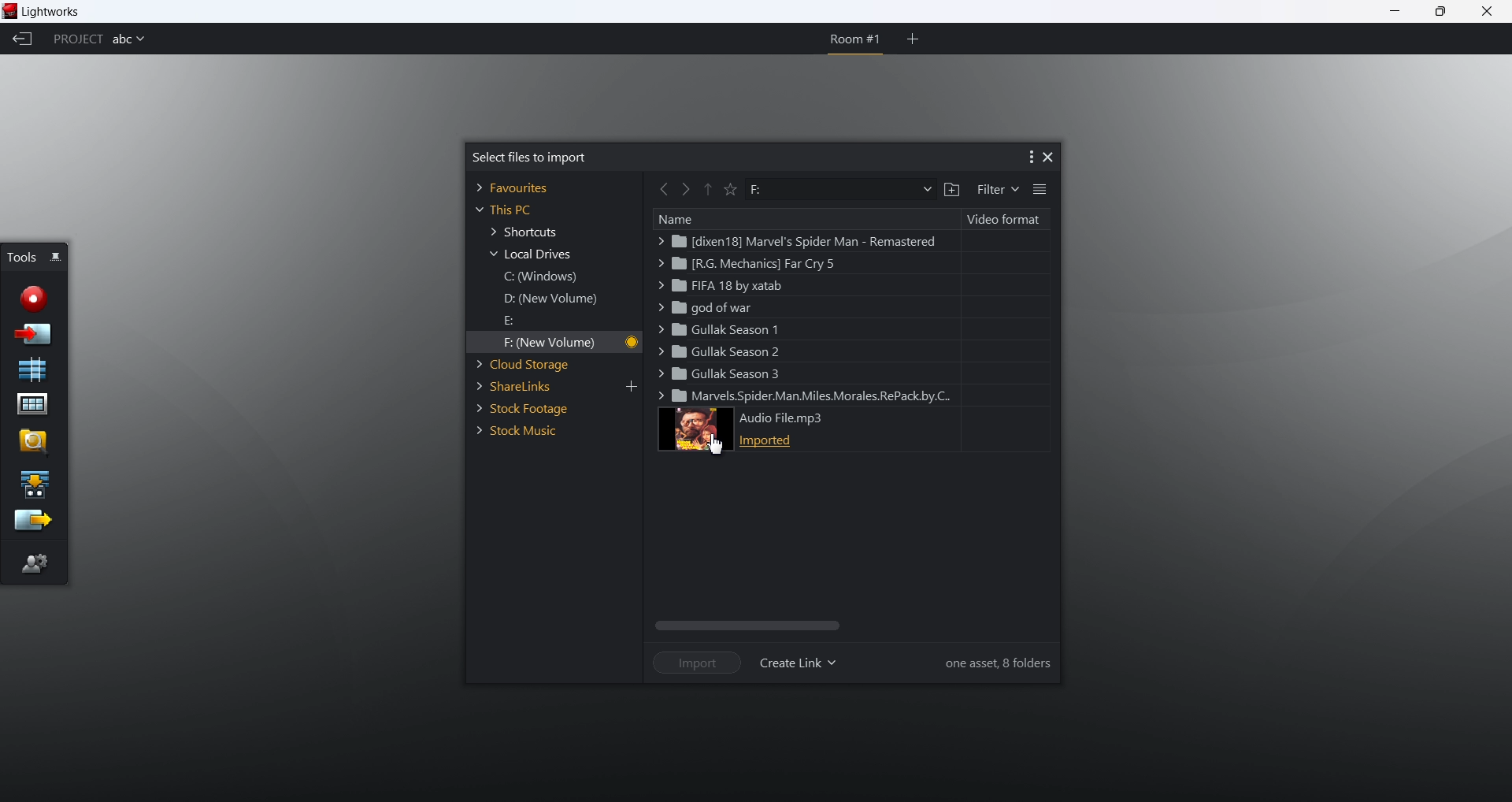  What do you see at coordinates (129, 41) in the screenshot?
I see `project name` at bounding box center [129, 41].